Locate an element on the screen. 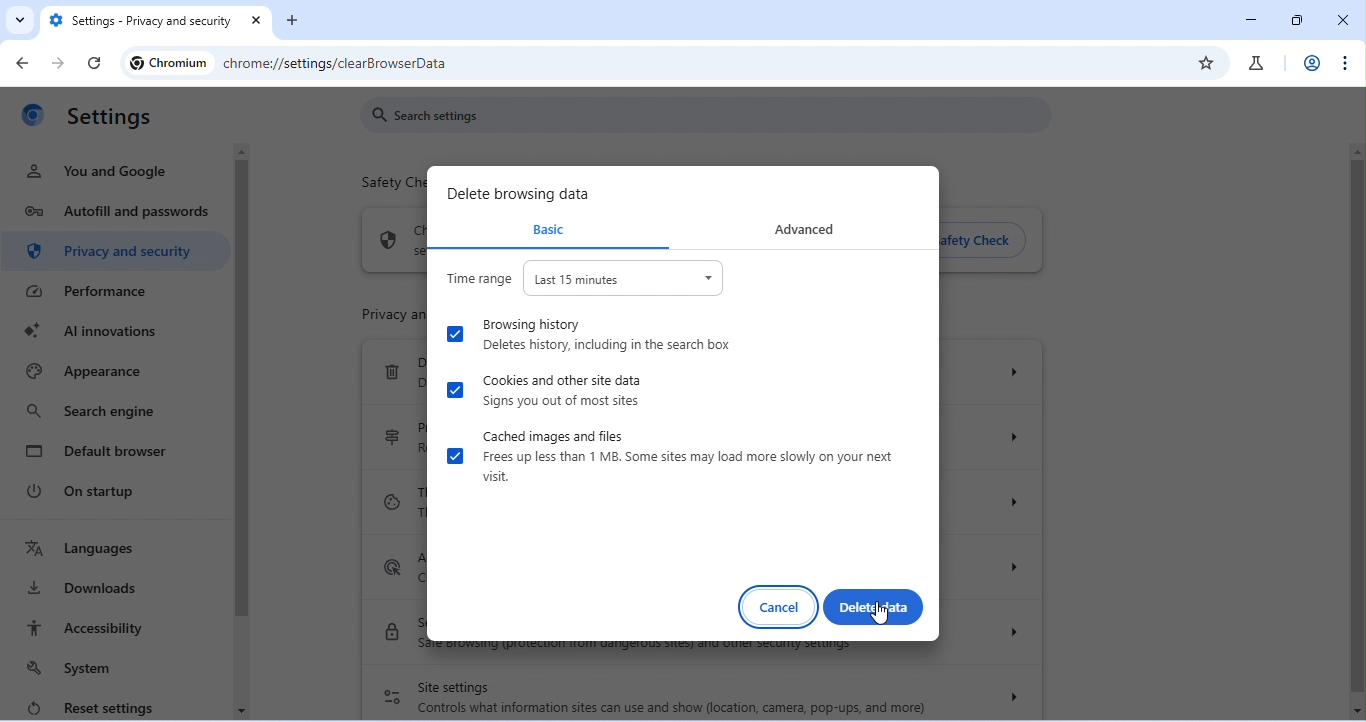  privacy guide icon is located at coordinates (393, 435).